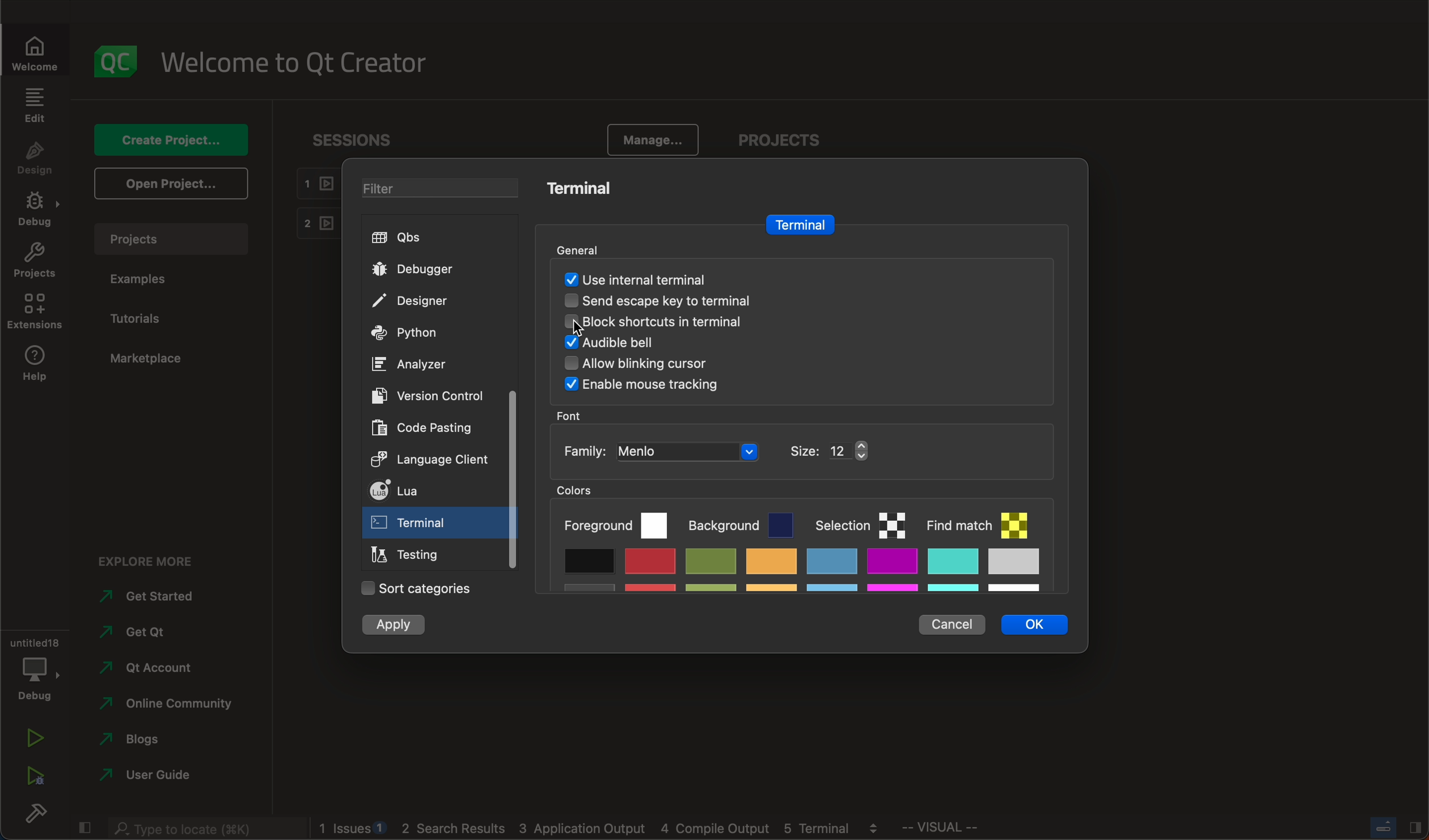 The width and height of the screenshot is (1429, 840). I want to click on apply, so click(407, 627).